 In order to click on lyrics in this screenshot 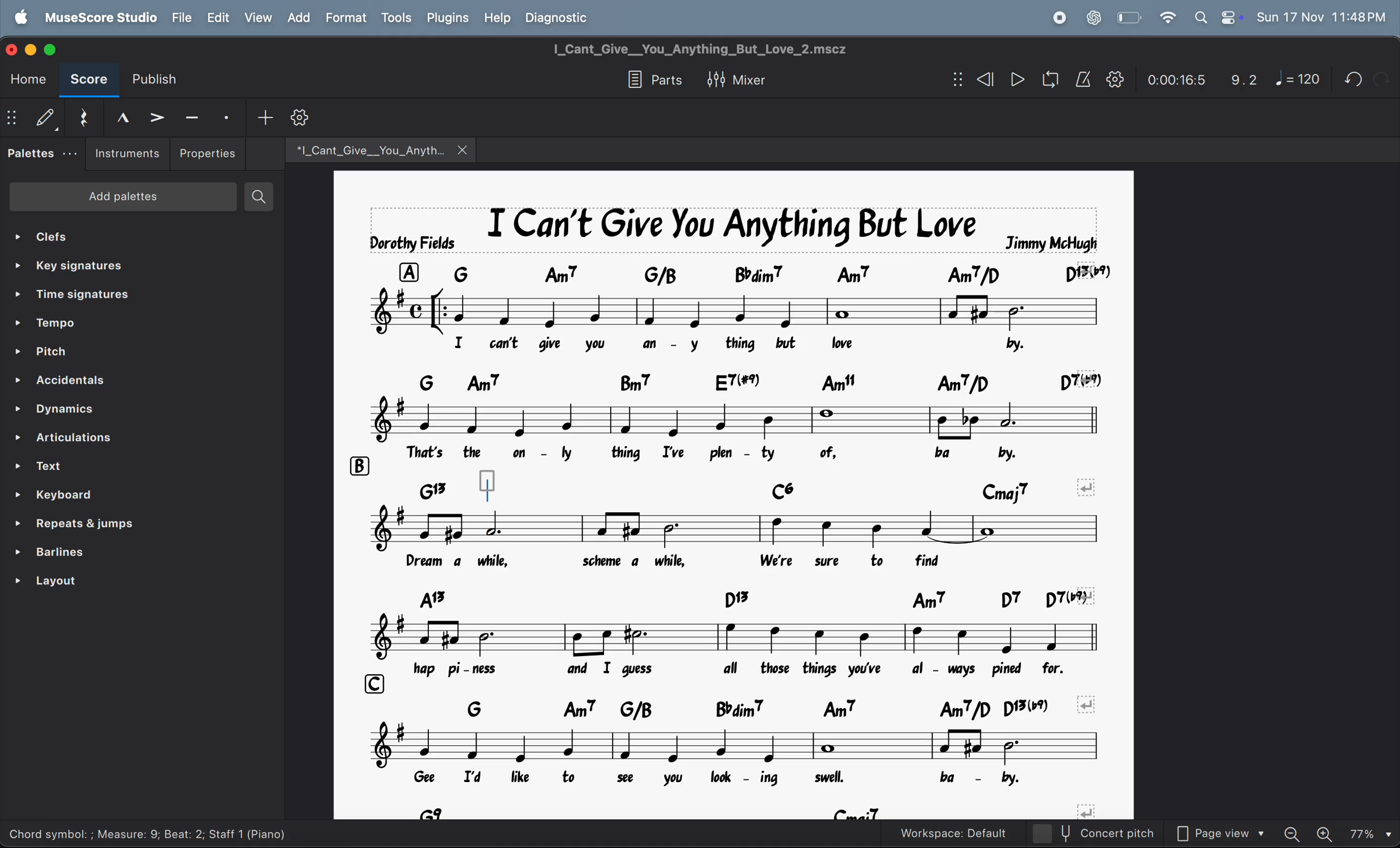, I will do `click(738, 671)`.